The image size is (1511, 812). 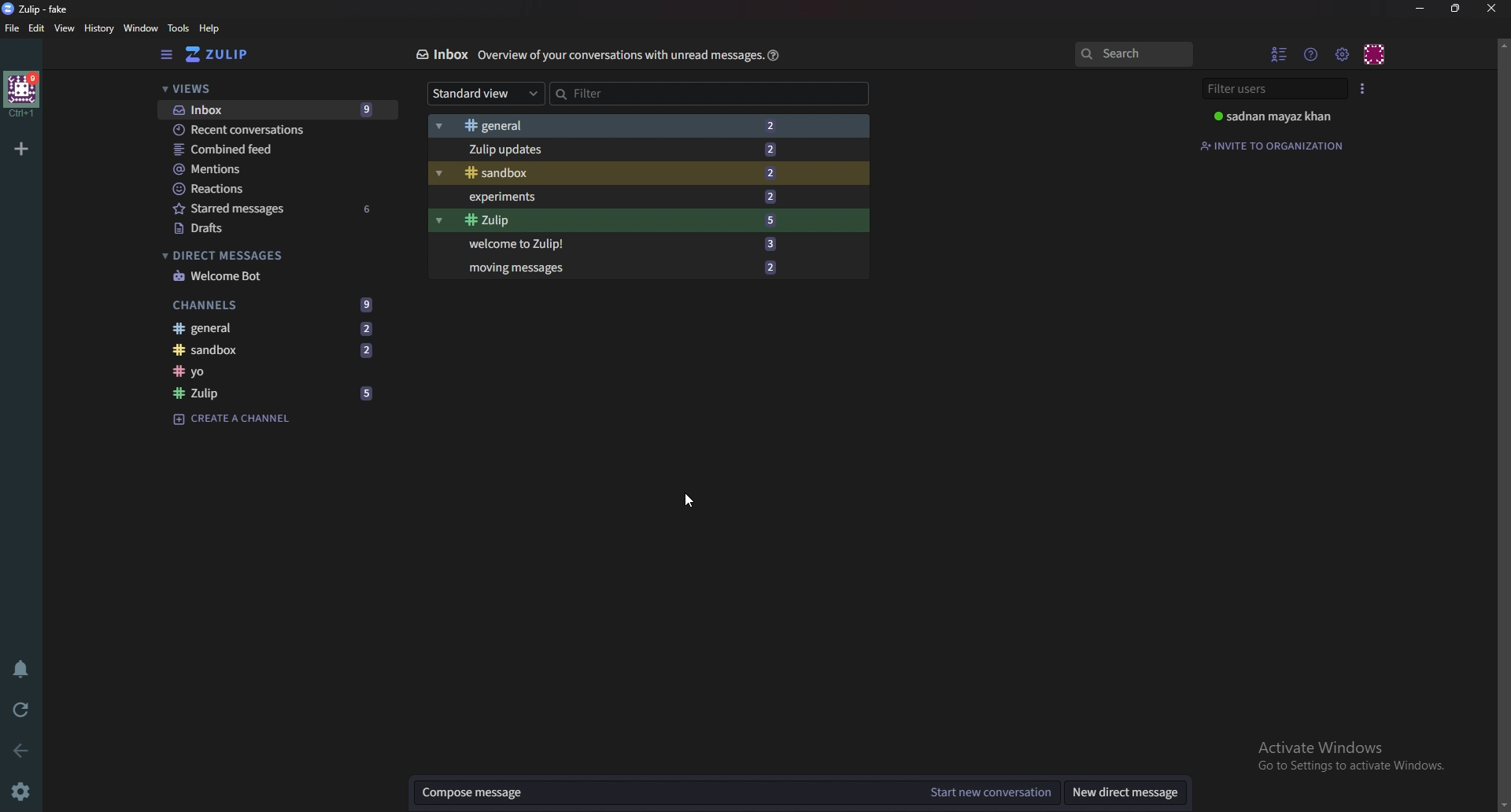 What do you see at coordinates (271, 189) in the screenshot?
I see `Reactions` at bounding box center [271, 189].